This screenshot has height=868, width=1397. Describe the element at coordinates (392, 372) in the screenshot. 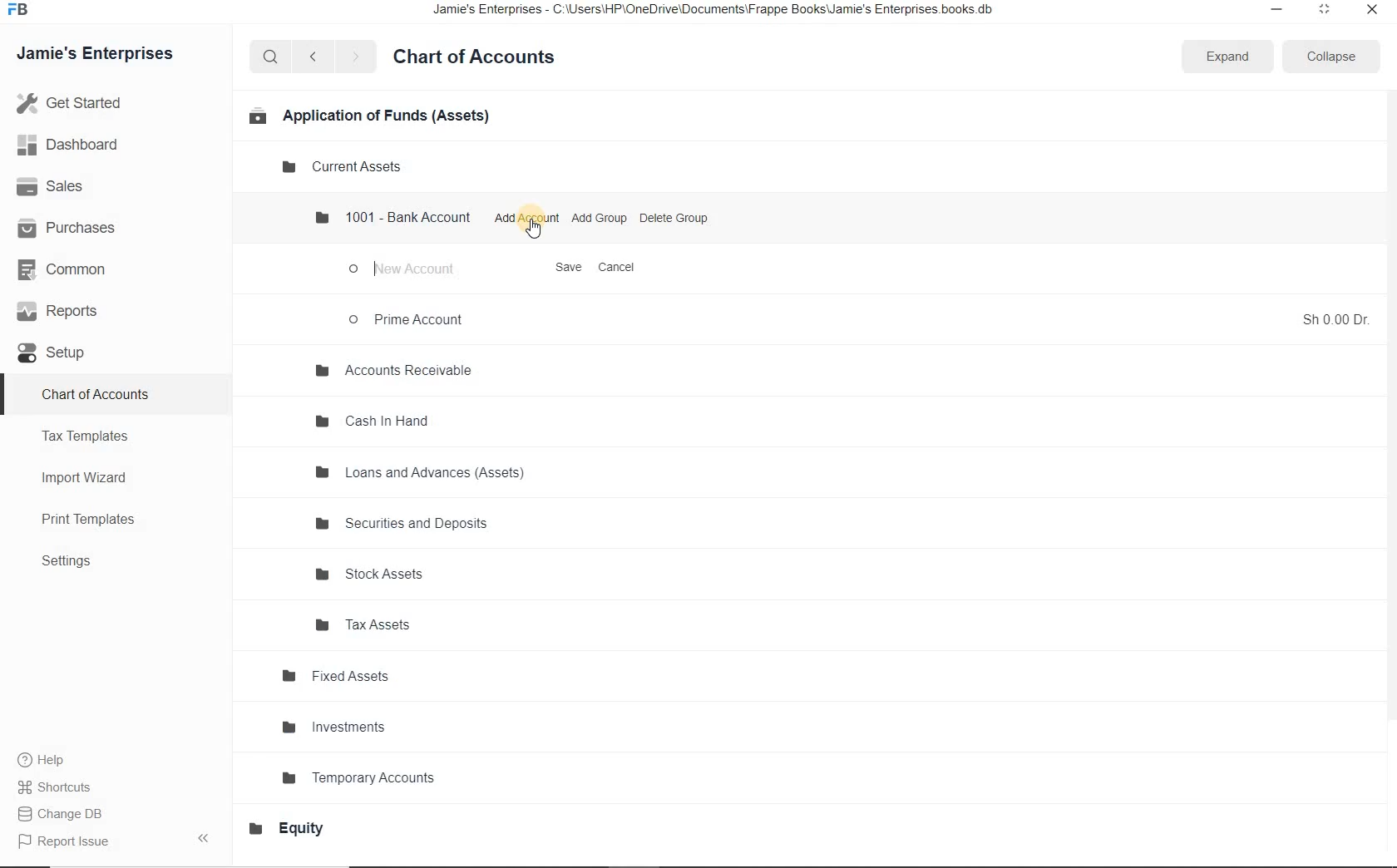

I see `Accounts Receivable` at that location.